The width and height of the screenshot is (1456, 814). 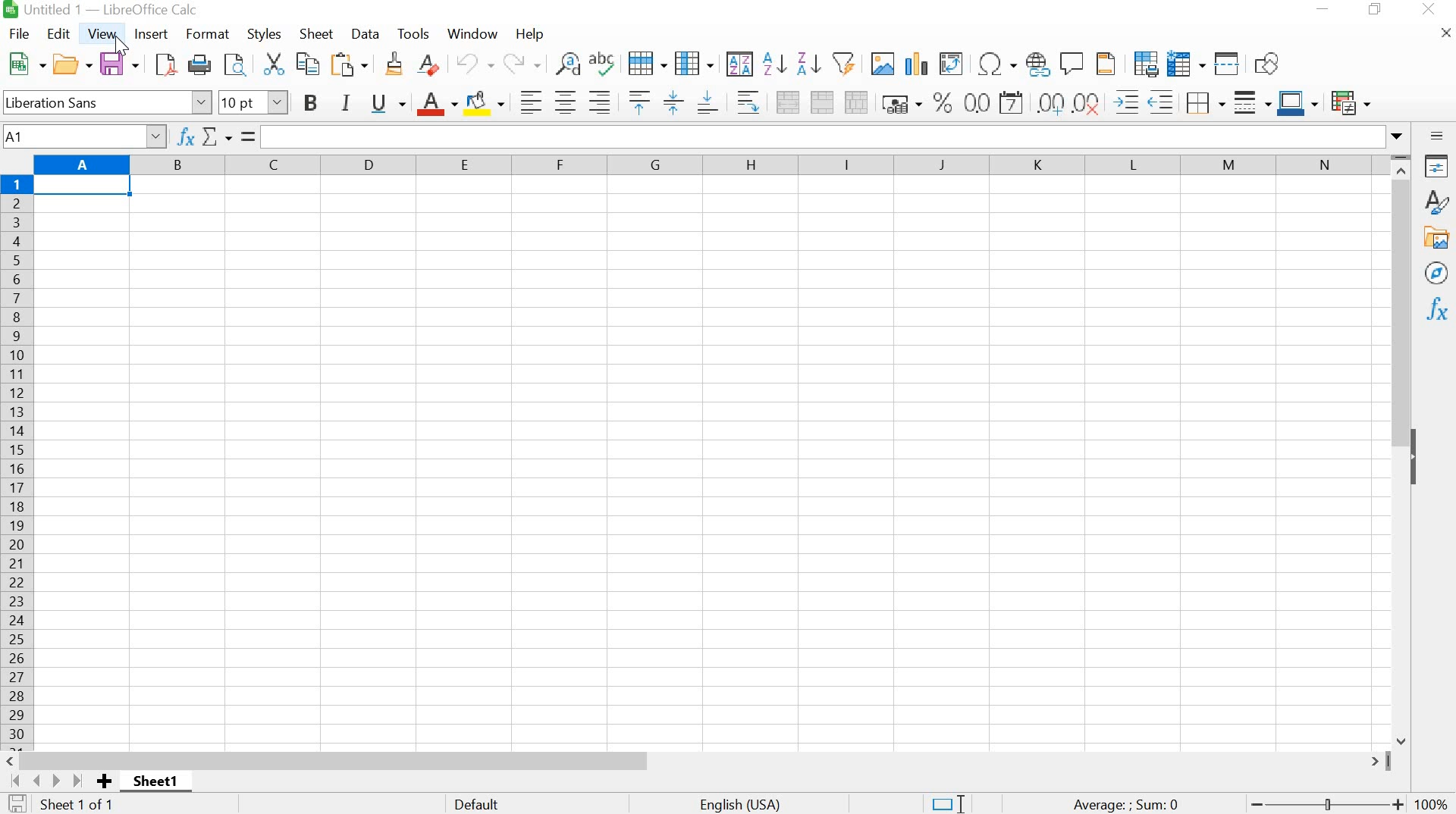 What do you see at coordinates (518, 803) in the screenshot?
I see `DEFAULT` at bounding box center [518, 803].